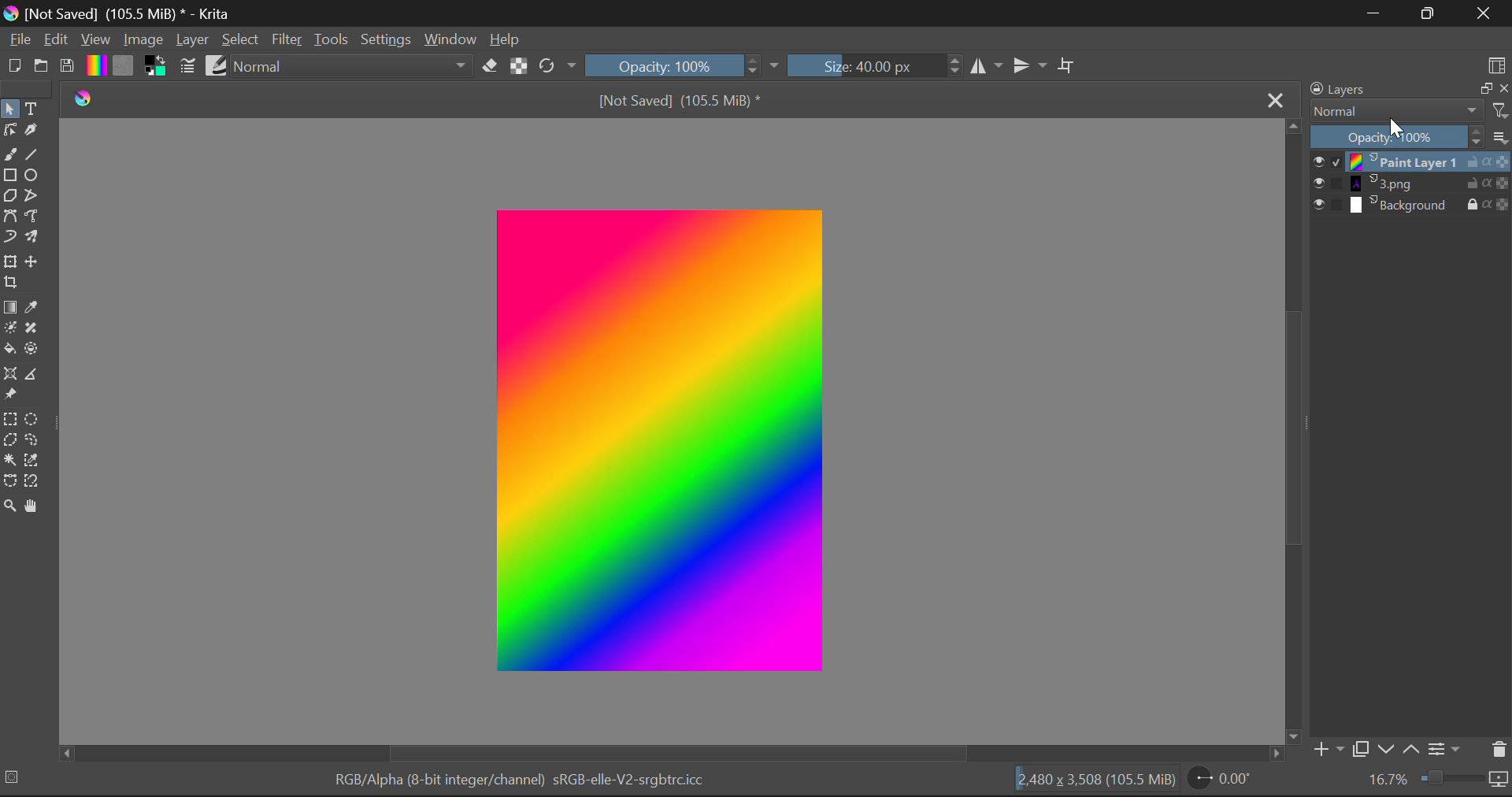  I want to click on Freehand Selection, so click(32, 439).